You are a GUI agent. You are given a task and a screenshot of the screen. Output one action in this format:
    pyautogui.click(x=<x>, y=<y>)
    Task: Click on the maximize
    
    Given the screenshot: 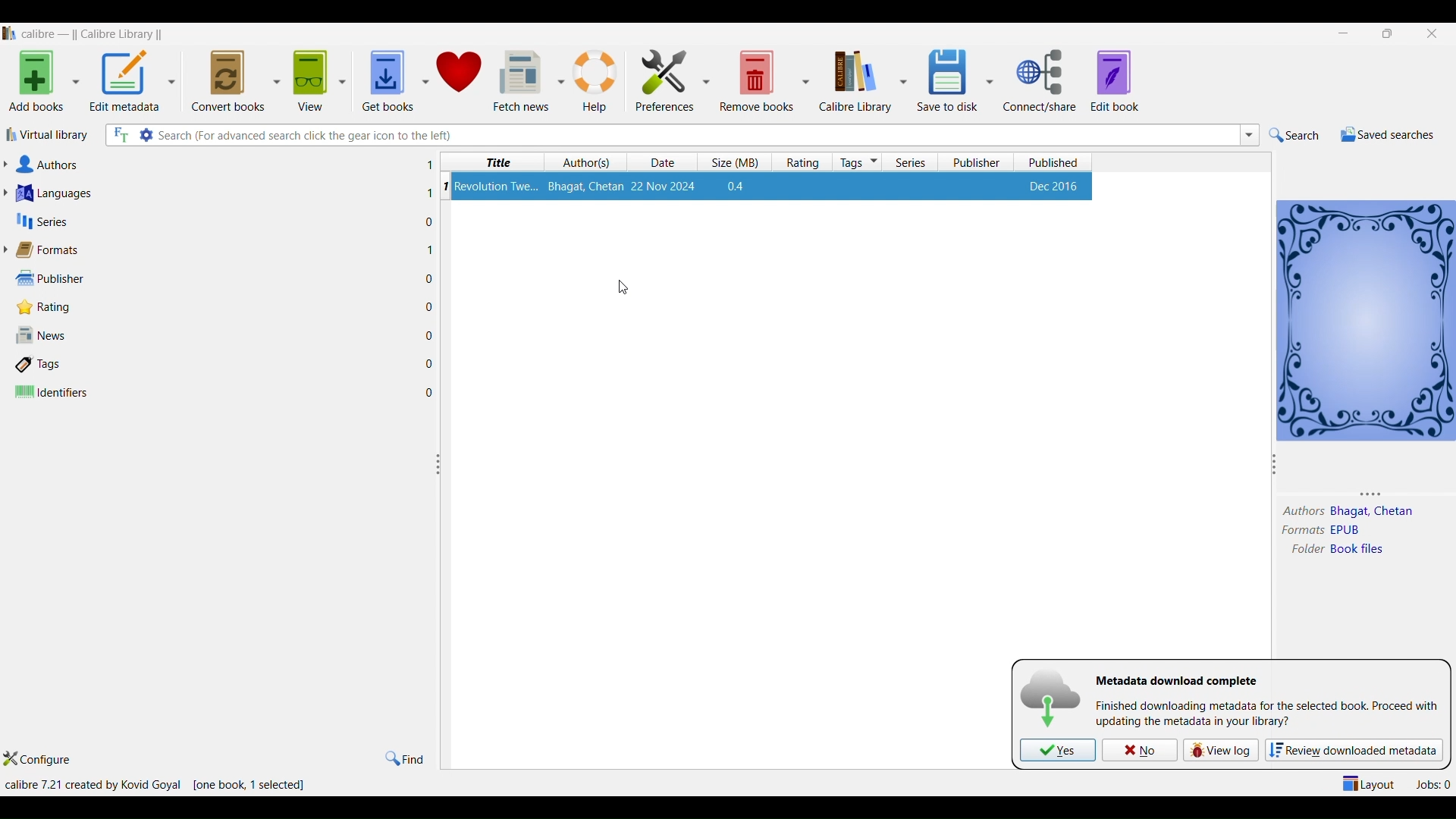 What is the action you would take?
    pyautogui.click(x=1385, y=33)
    